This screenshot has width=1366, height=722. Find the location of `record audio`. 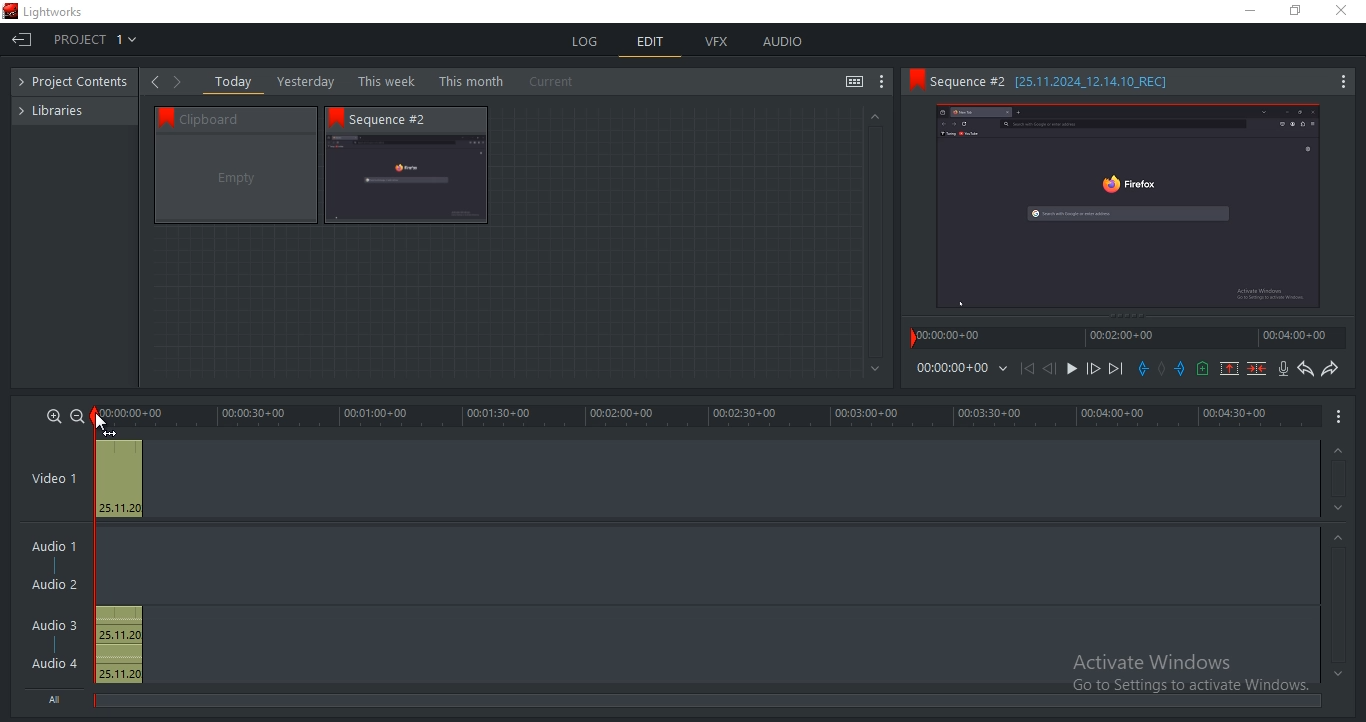

record audio is located at coordinates (1285, 369).